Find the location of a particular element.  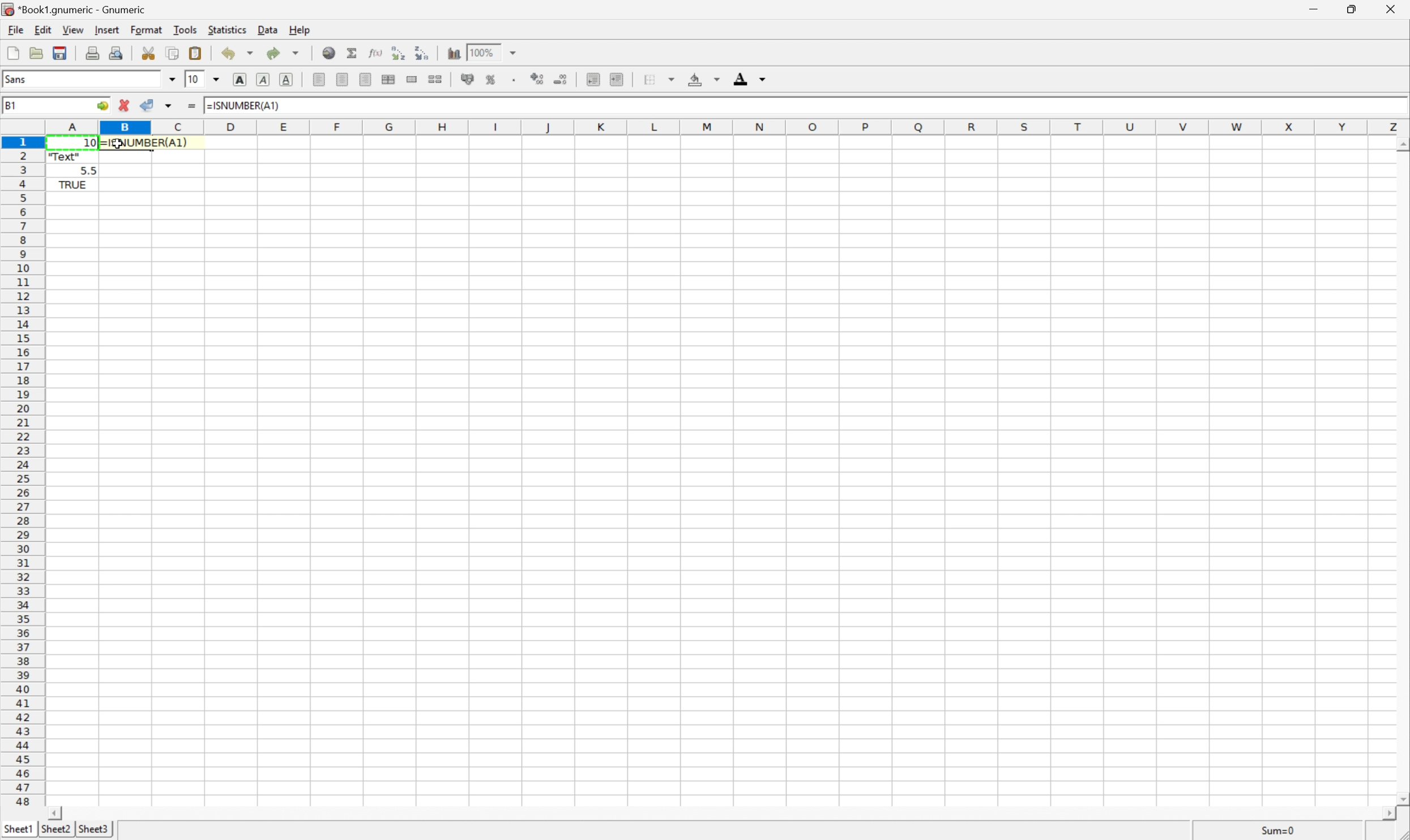

View is located at coordinates (73, 28).